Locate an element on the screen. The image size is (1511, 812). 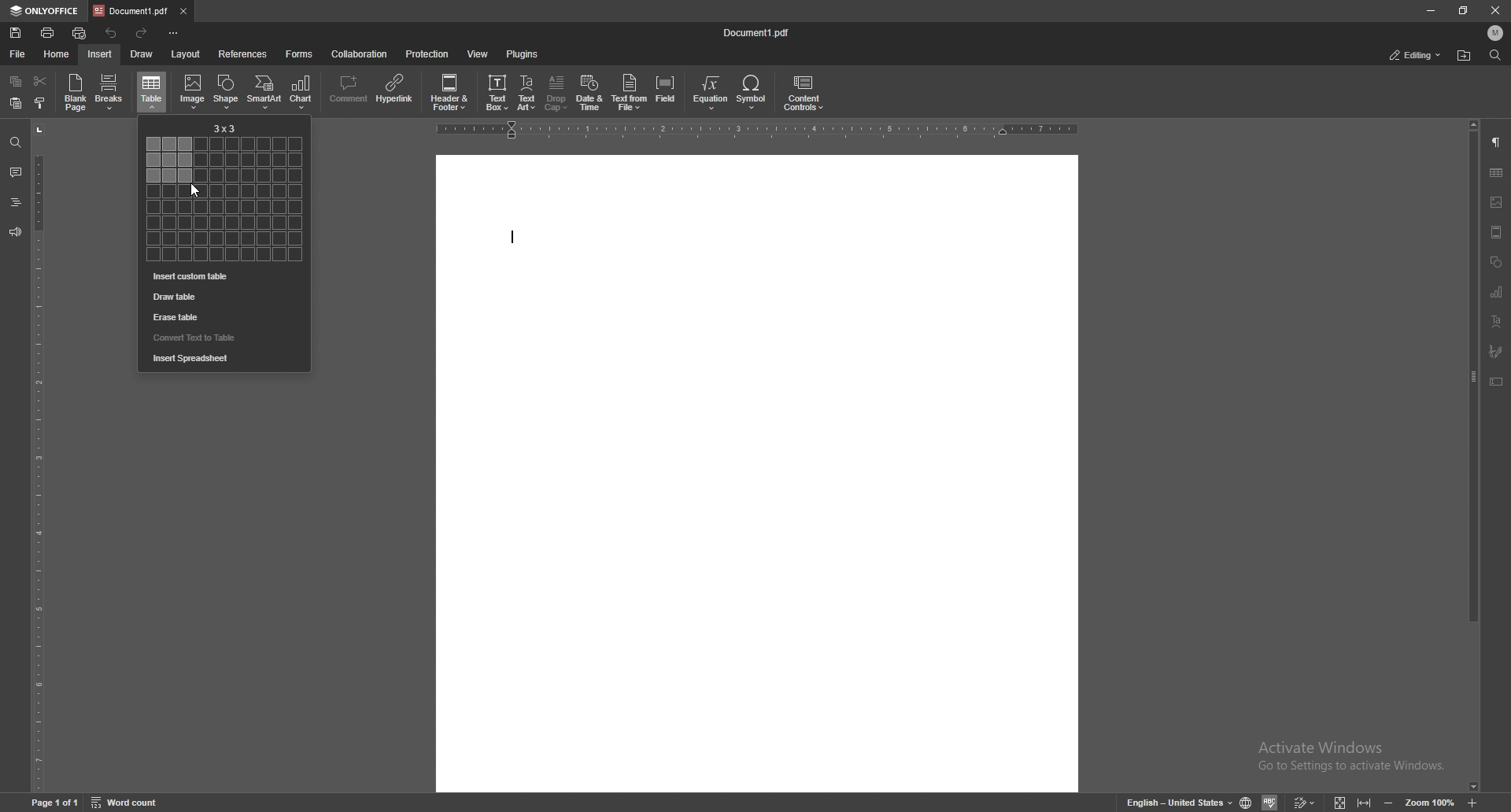
vertical scale is located at coordinates (39, 456).